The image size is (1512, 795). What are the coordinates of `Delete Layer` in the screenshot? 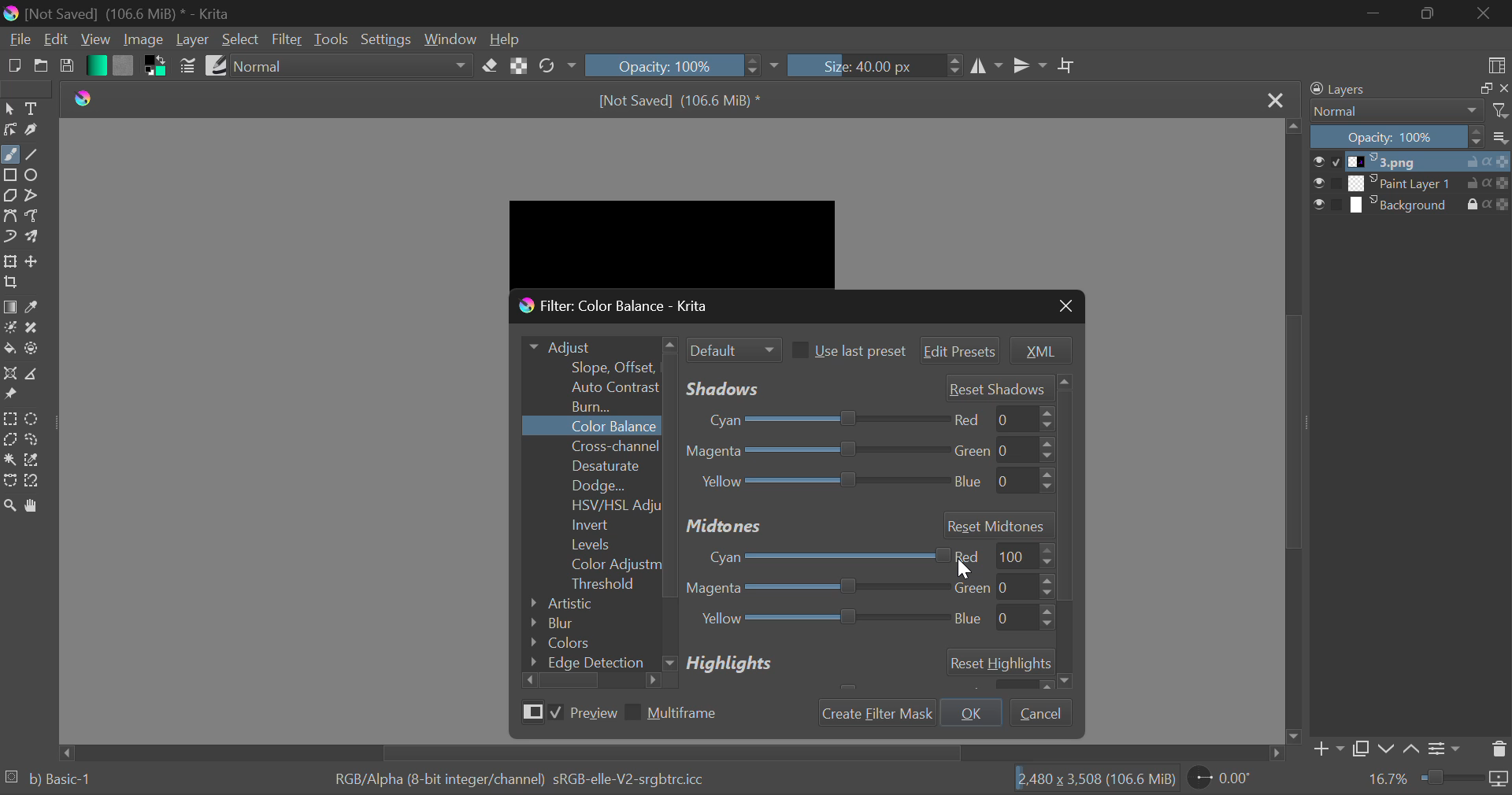 It's located at (1499, 749).